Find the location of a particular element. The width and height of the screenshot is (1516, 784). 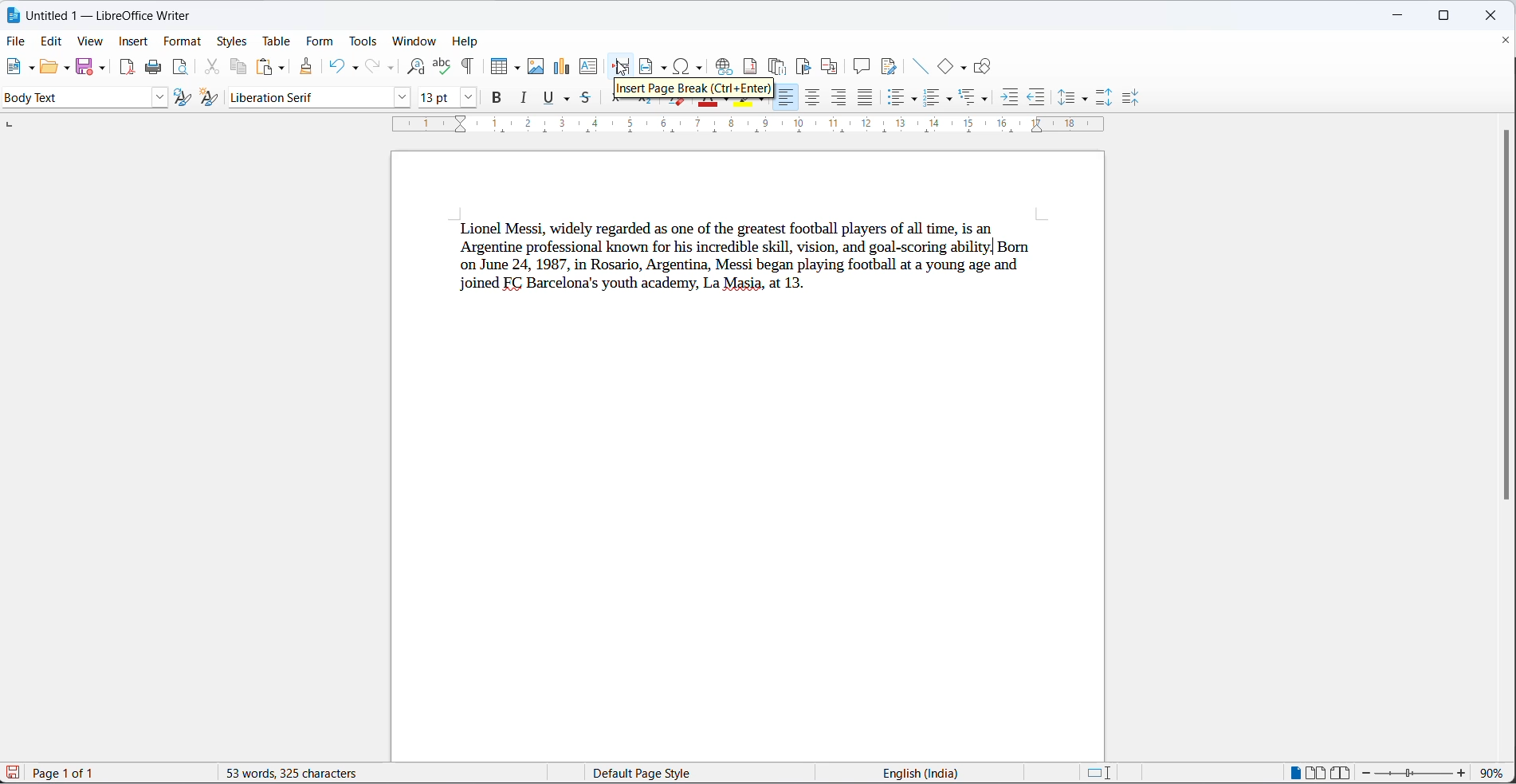

subscript is located at coordinates (644, 102).